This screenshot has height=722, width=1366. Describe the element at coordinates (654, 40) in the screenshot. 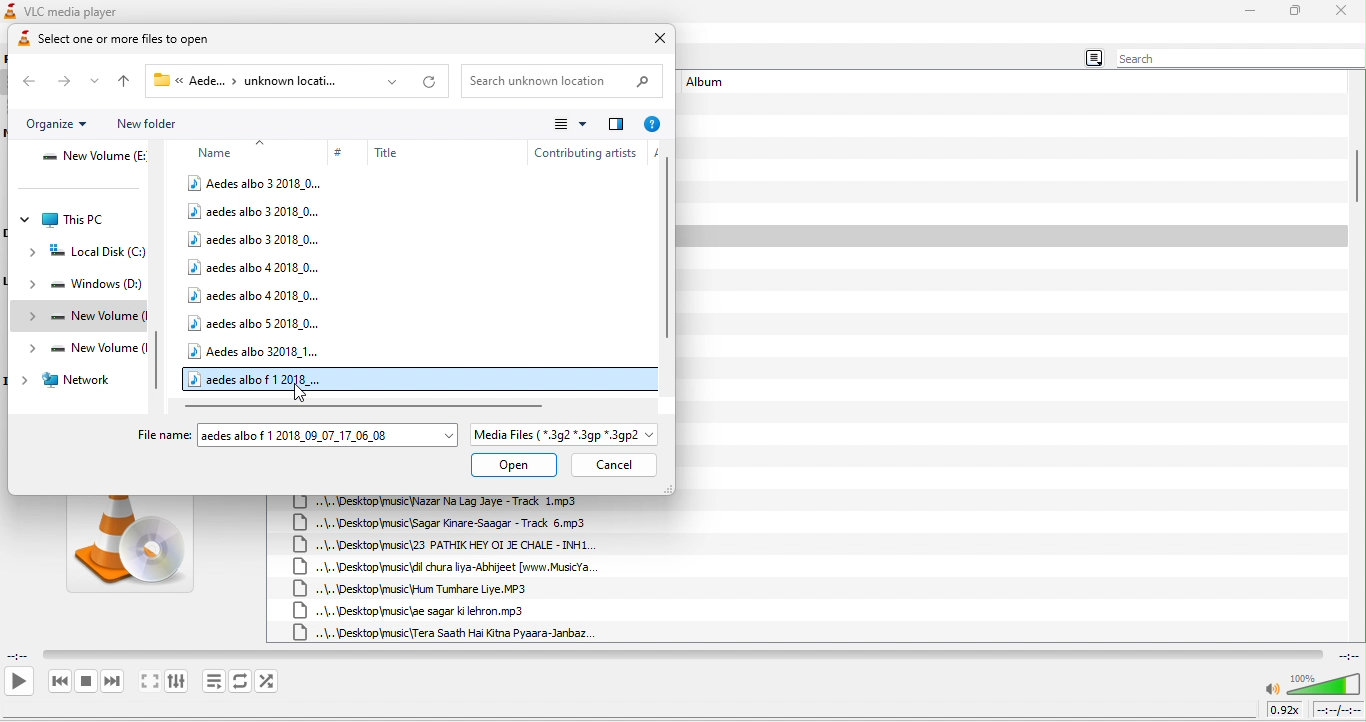

I see `close` at that location.